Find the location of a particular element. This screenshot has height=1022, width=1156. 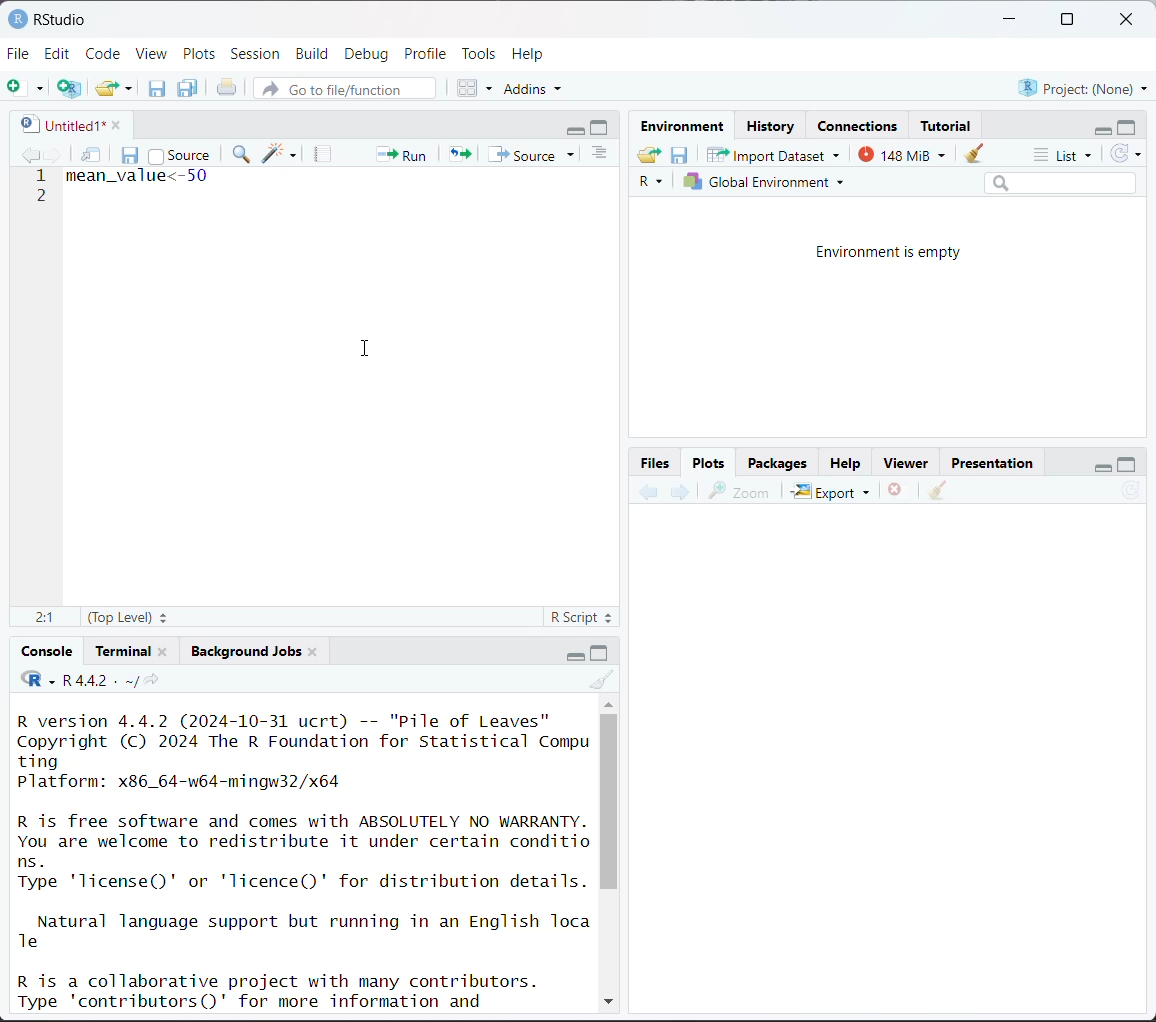

Terminal is located at coordinates (125, 648).